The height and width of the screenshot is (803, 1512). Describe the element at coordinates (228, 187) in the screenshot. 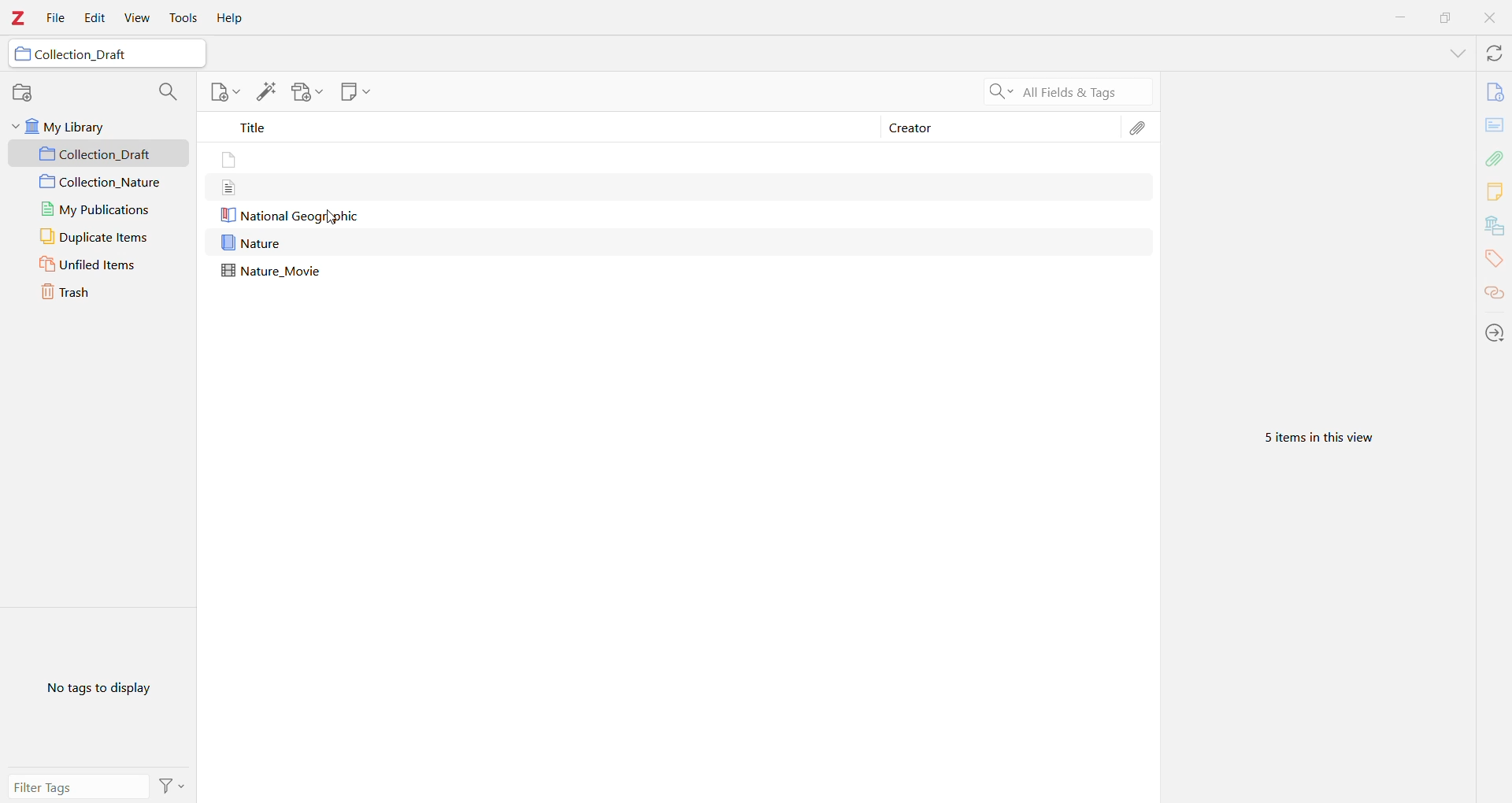

I see `file` at that location.